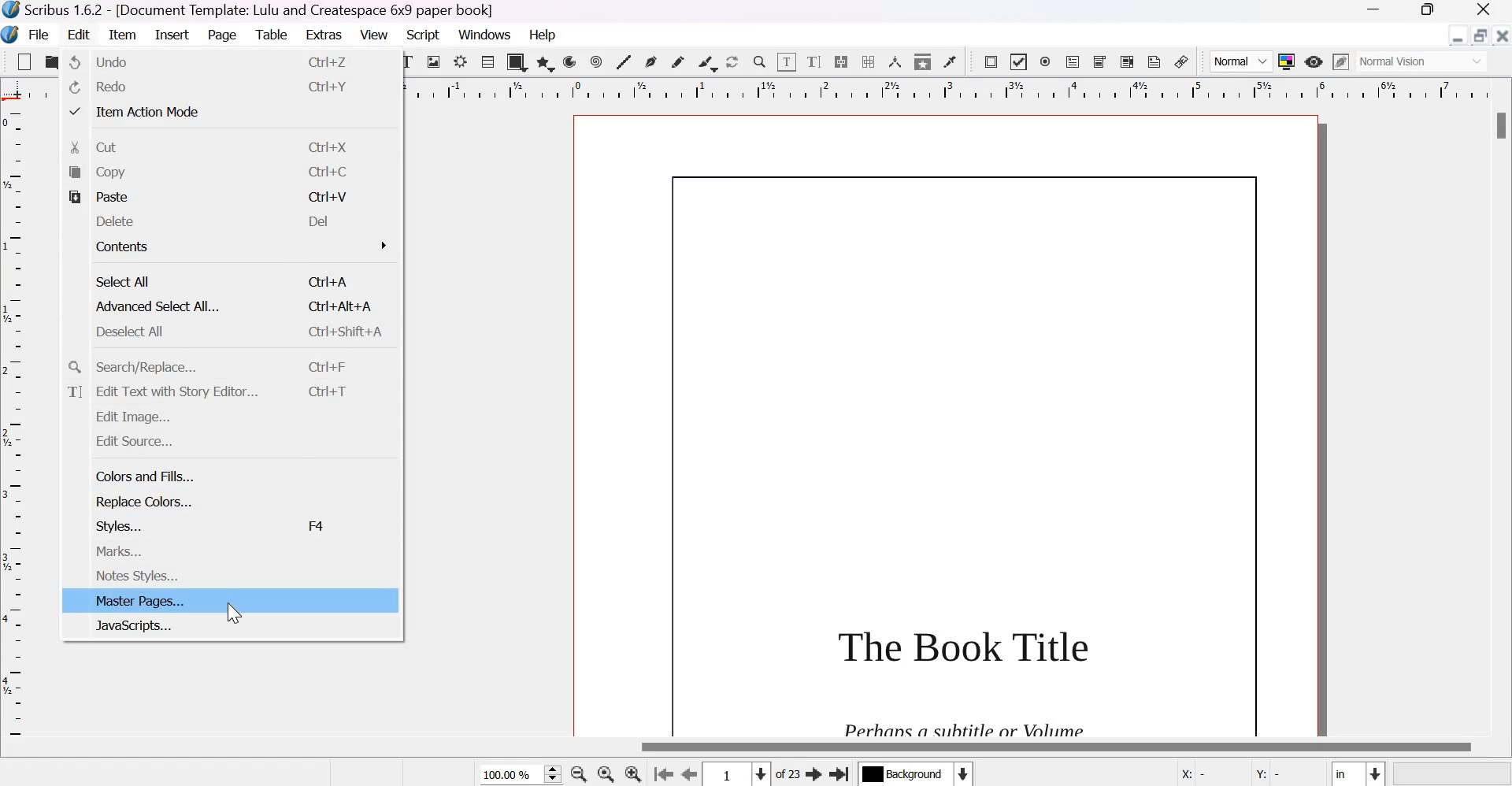  I want to click on resize, so click(1481, 35).